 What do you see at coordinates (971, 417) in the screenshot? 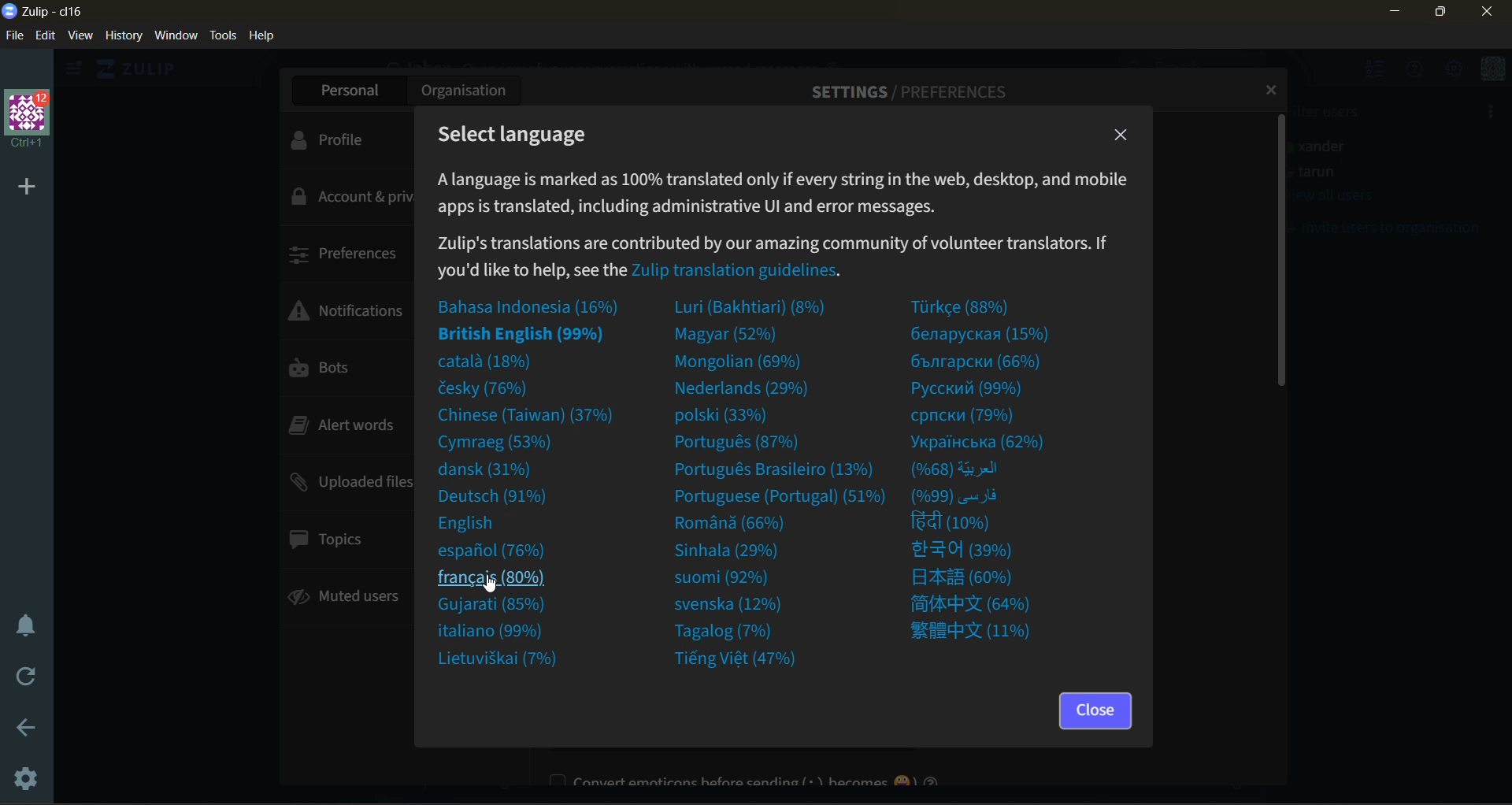
I see `foreign language` at bounding box center [971, 417].